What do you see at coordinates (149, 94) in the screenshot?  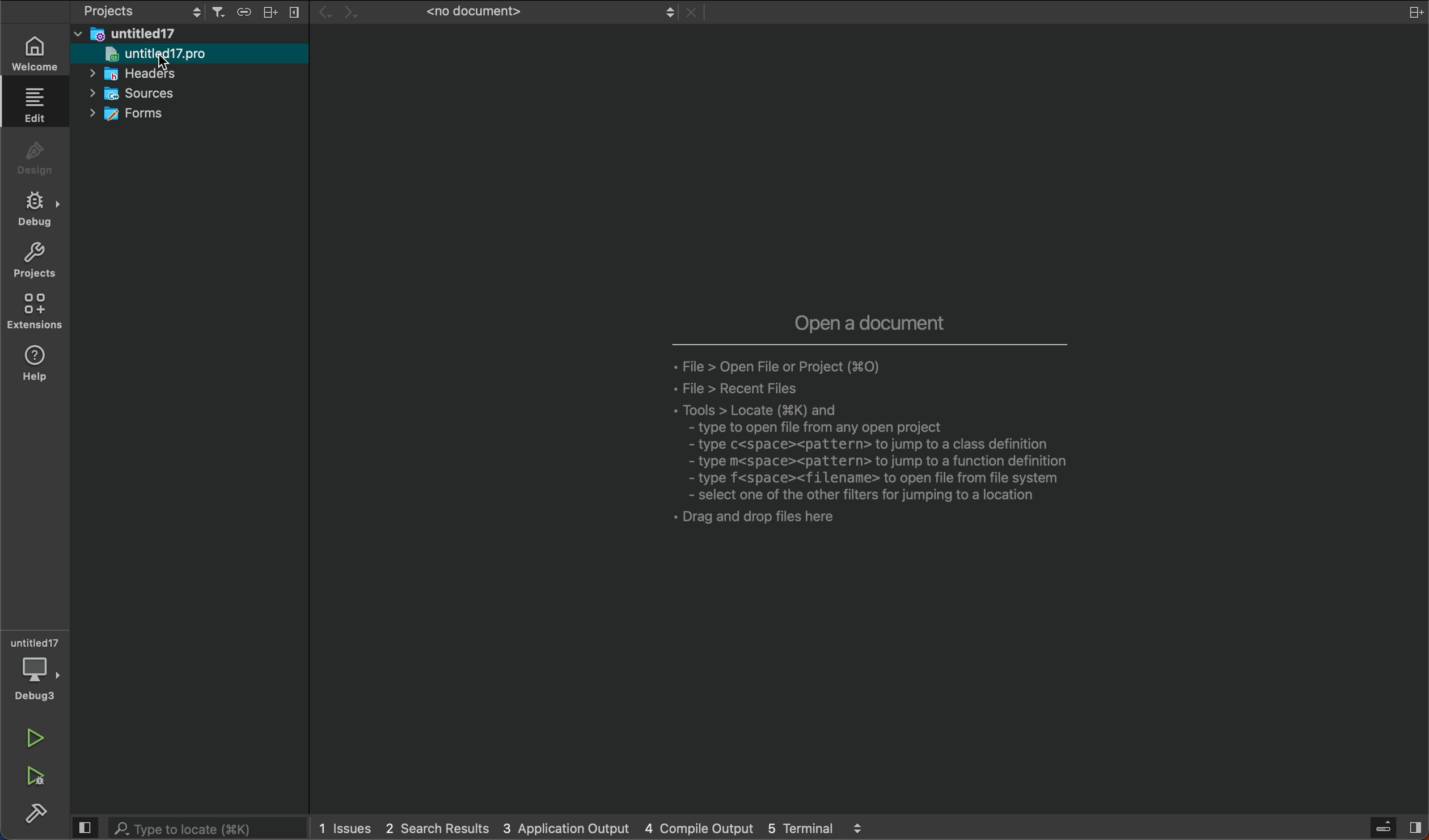 I see `sources` at bounding box center [149, 94].